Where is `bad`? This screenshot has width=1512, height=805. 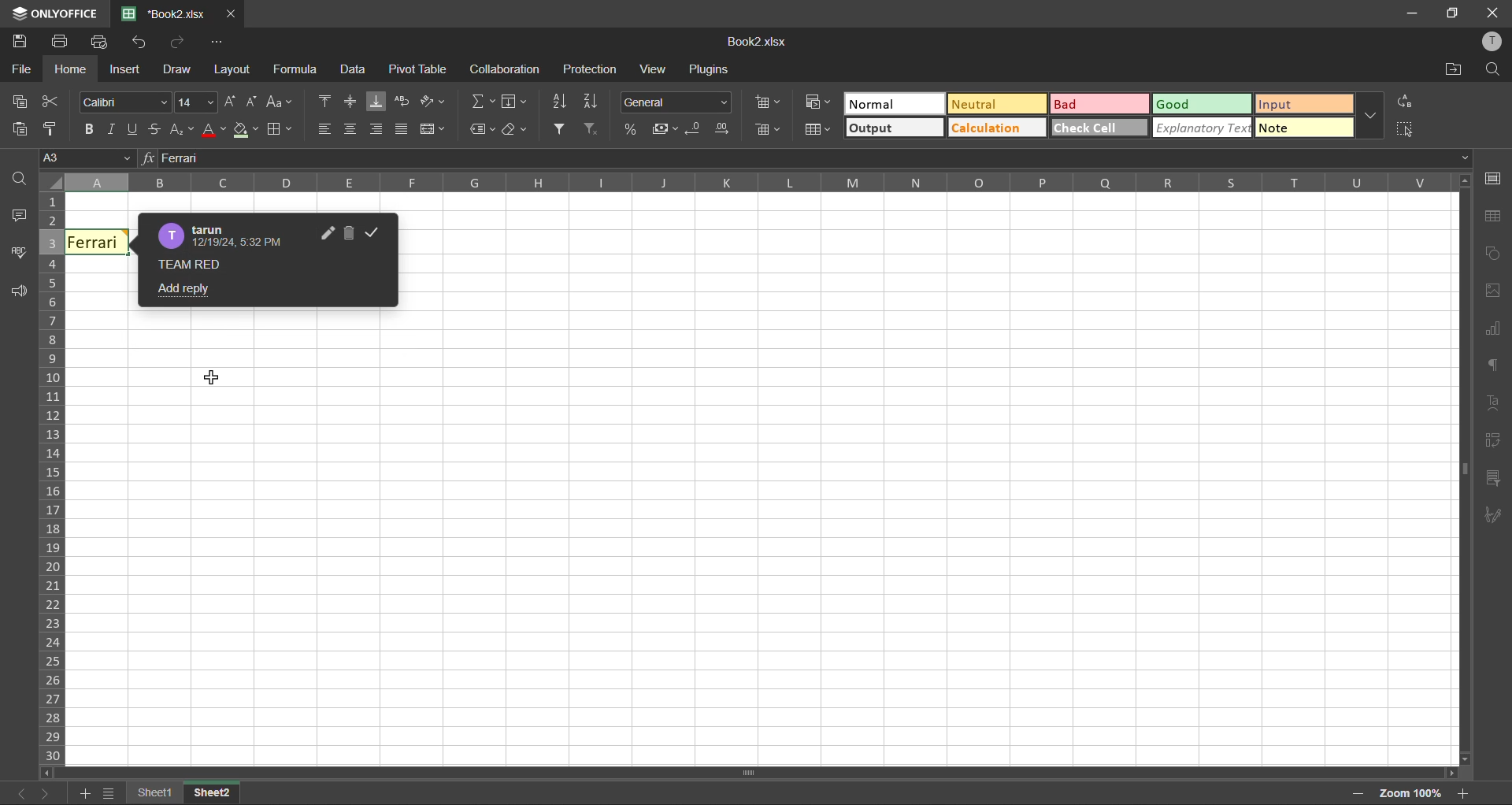 bad is located at coordinates (1086, 105).